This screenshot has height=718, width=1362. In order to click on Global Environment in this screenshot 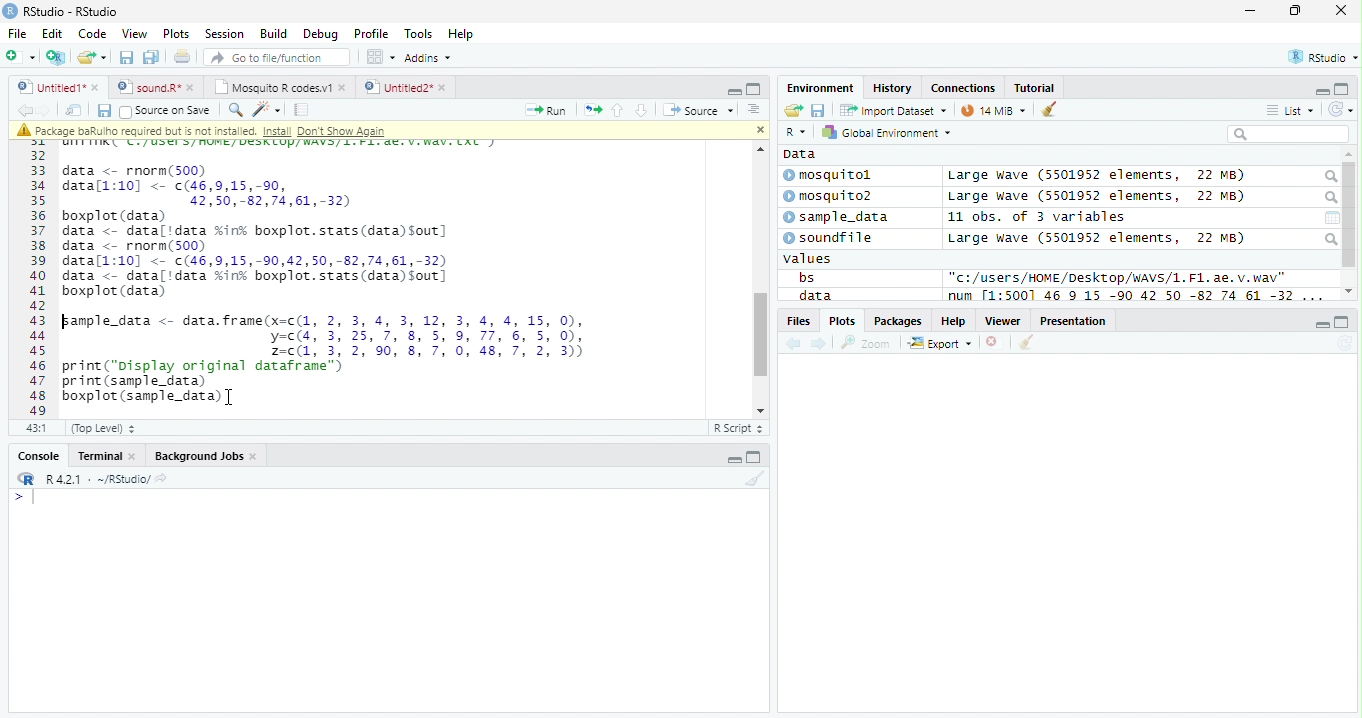, I will do `click(884, 131)`.